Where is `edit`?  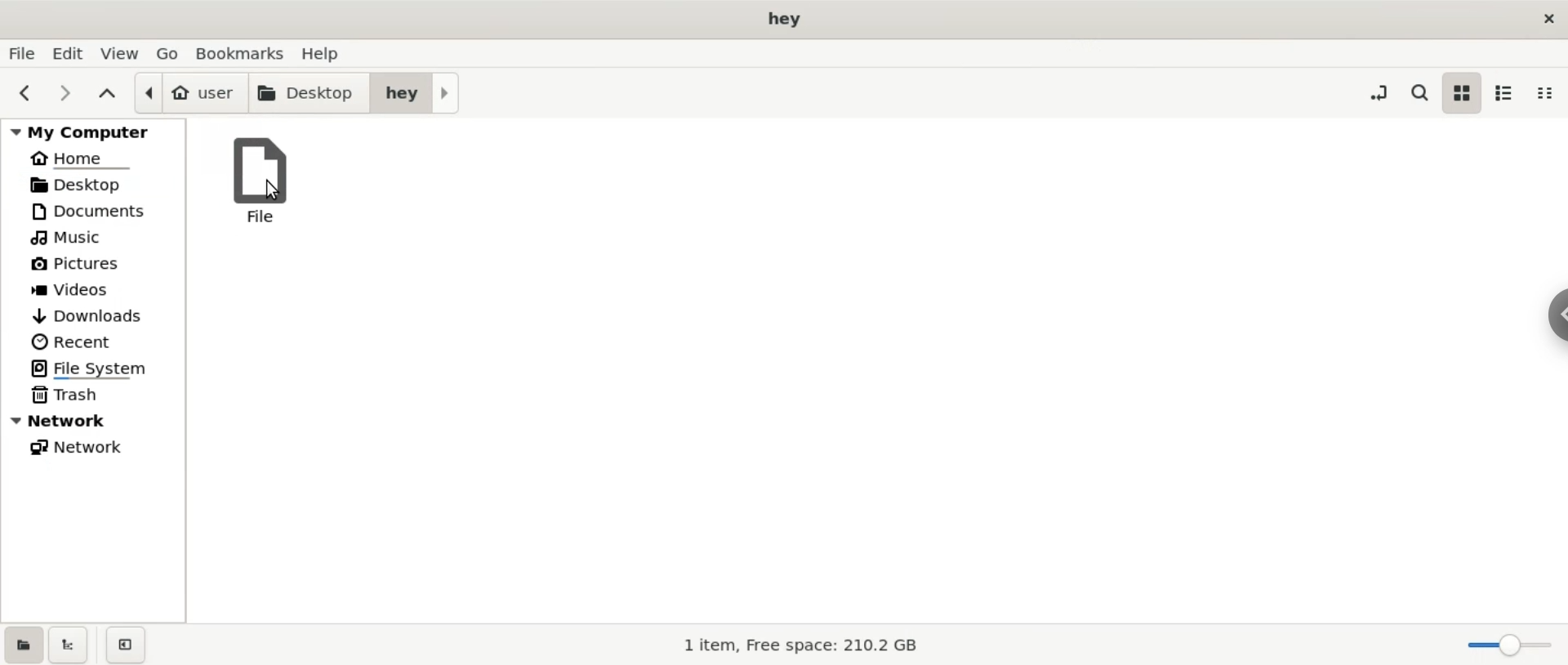 edit is located at coordinates (69, 53).